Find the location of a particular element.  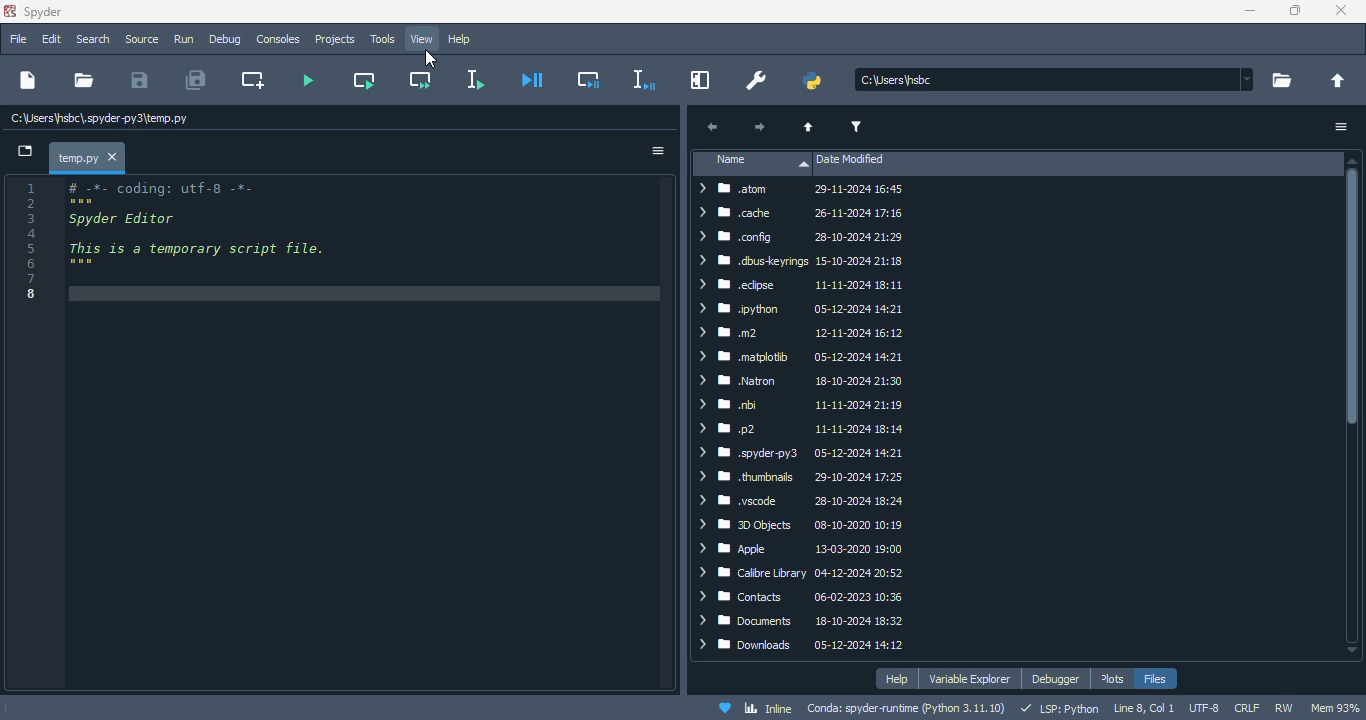

RW is located at coordinates (1284, 707).